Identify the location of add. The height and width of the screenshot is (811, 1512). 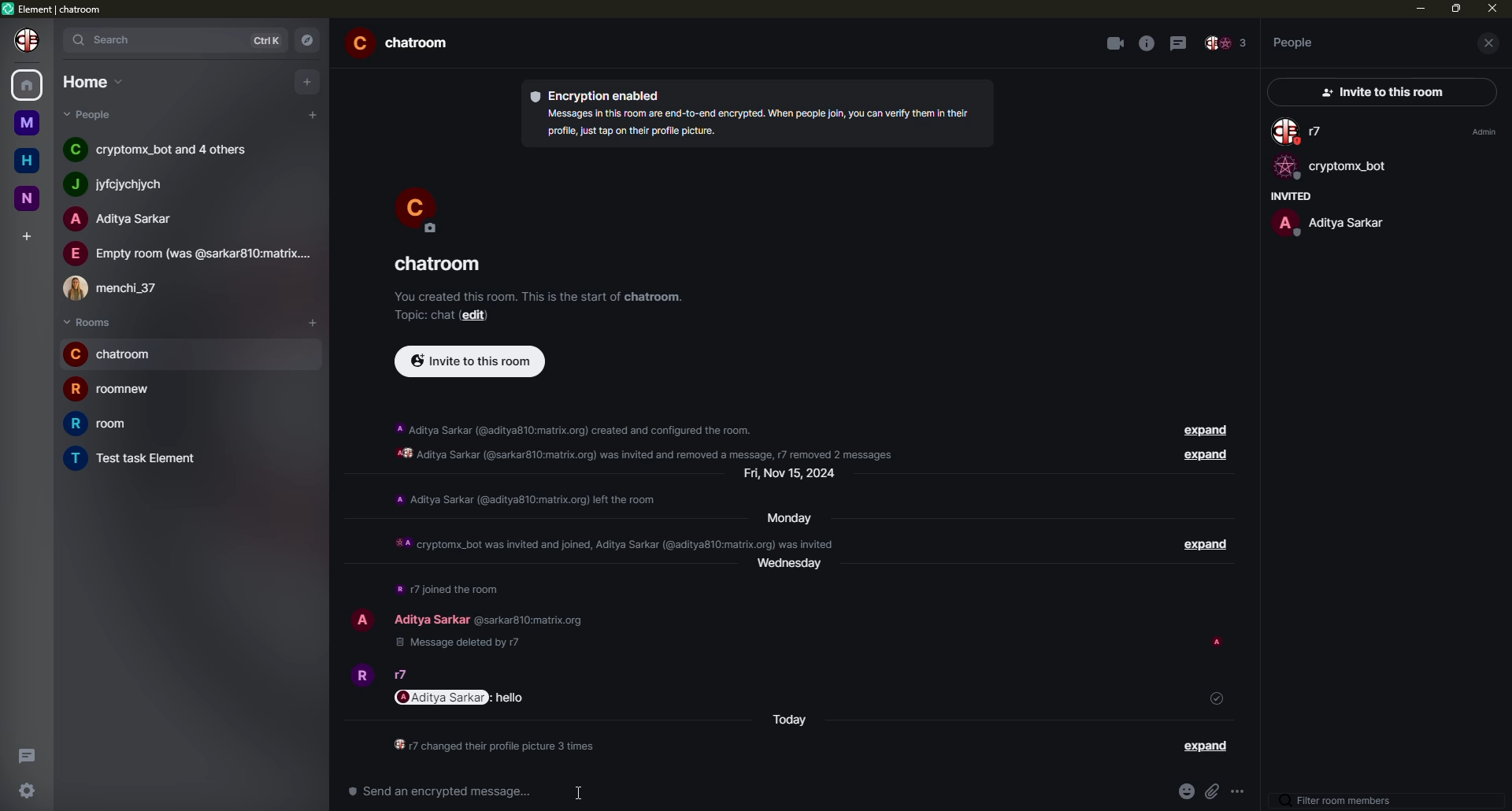
(313, 114).